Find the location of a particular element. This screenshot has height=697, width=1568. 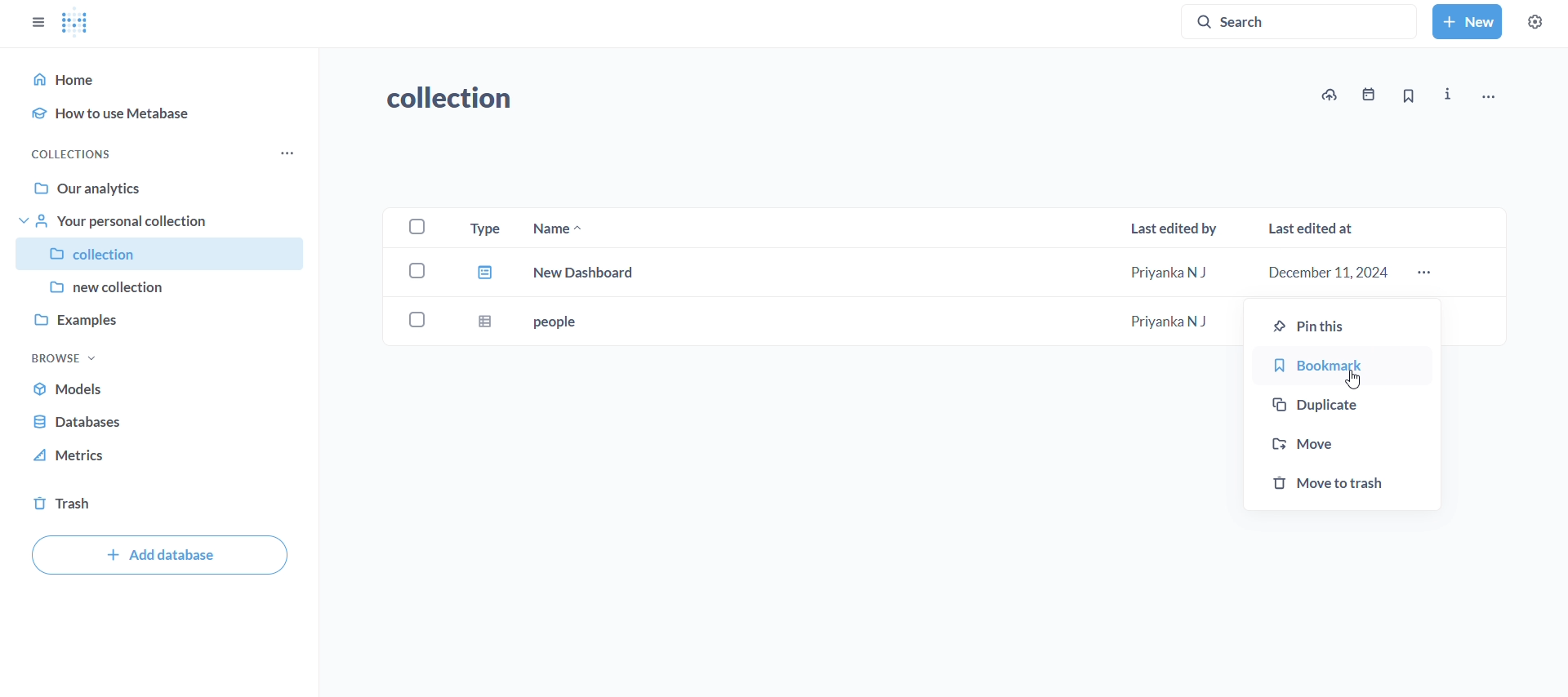

new dashboard is located at coordinates (933, 275).